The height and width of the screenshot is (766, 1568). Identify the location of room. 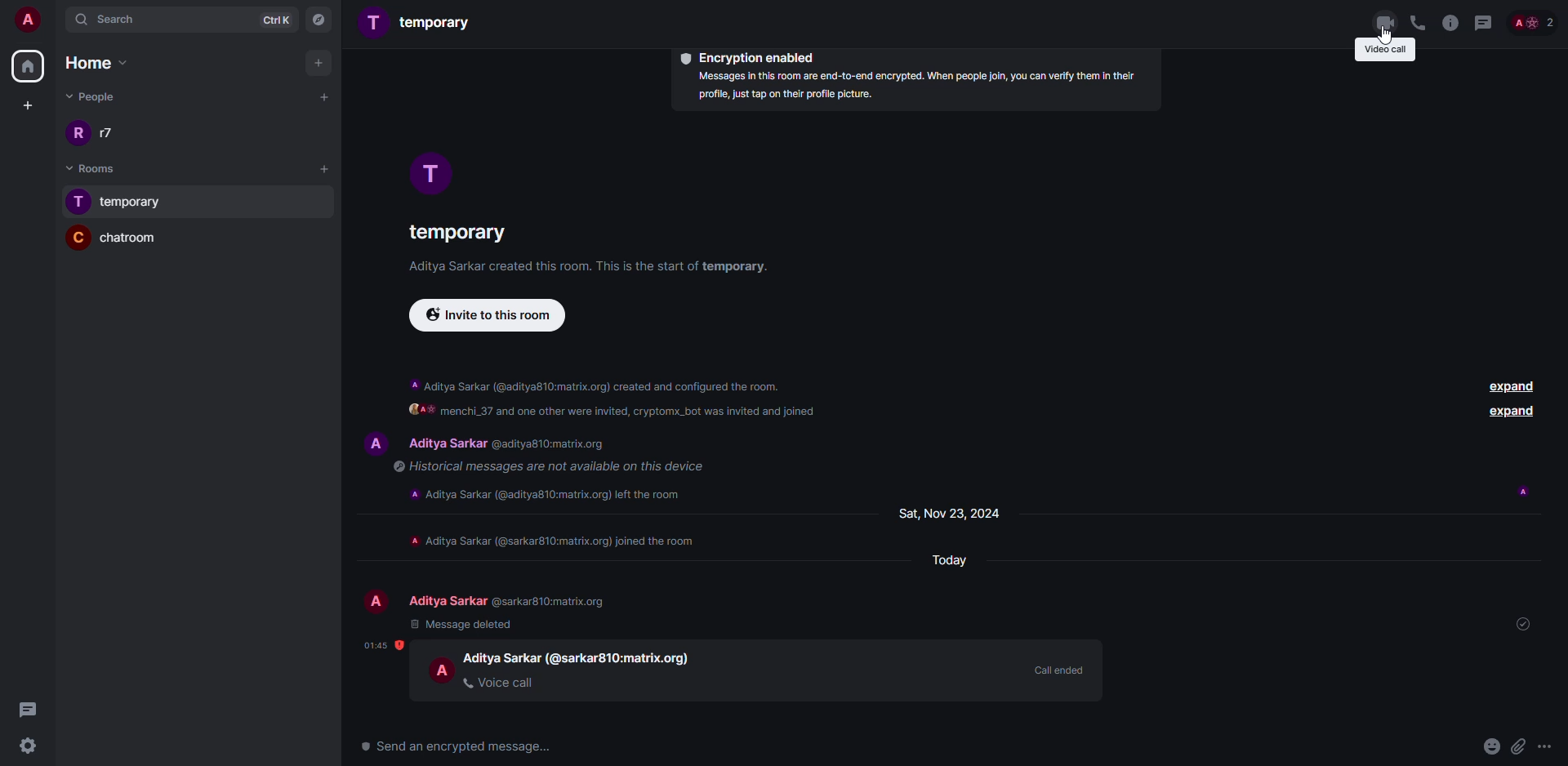
(454, 236).